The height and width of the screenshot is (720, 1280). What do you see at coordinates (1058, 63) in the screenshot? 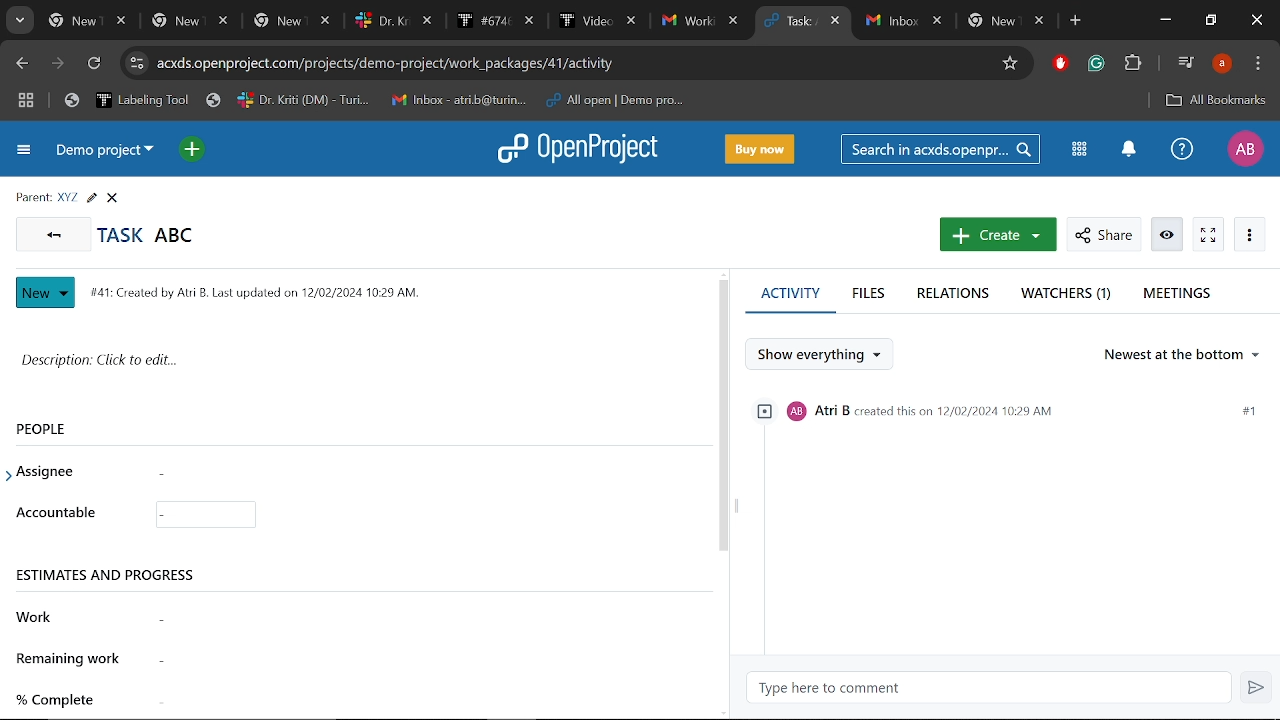
I see `Addblock` at bounding box center [1058, 63].